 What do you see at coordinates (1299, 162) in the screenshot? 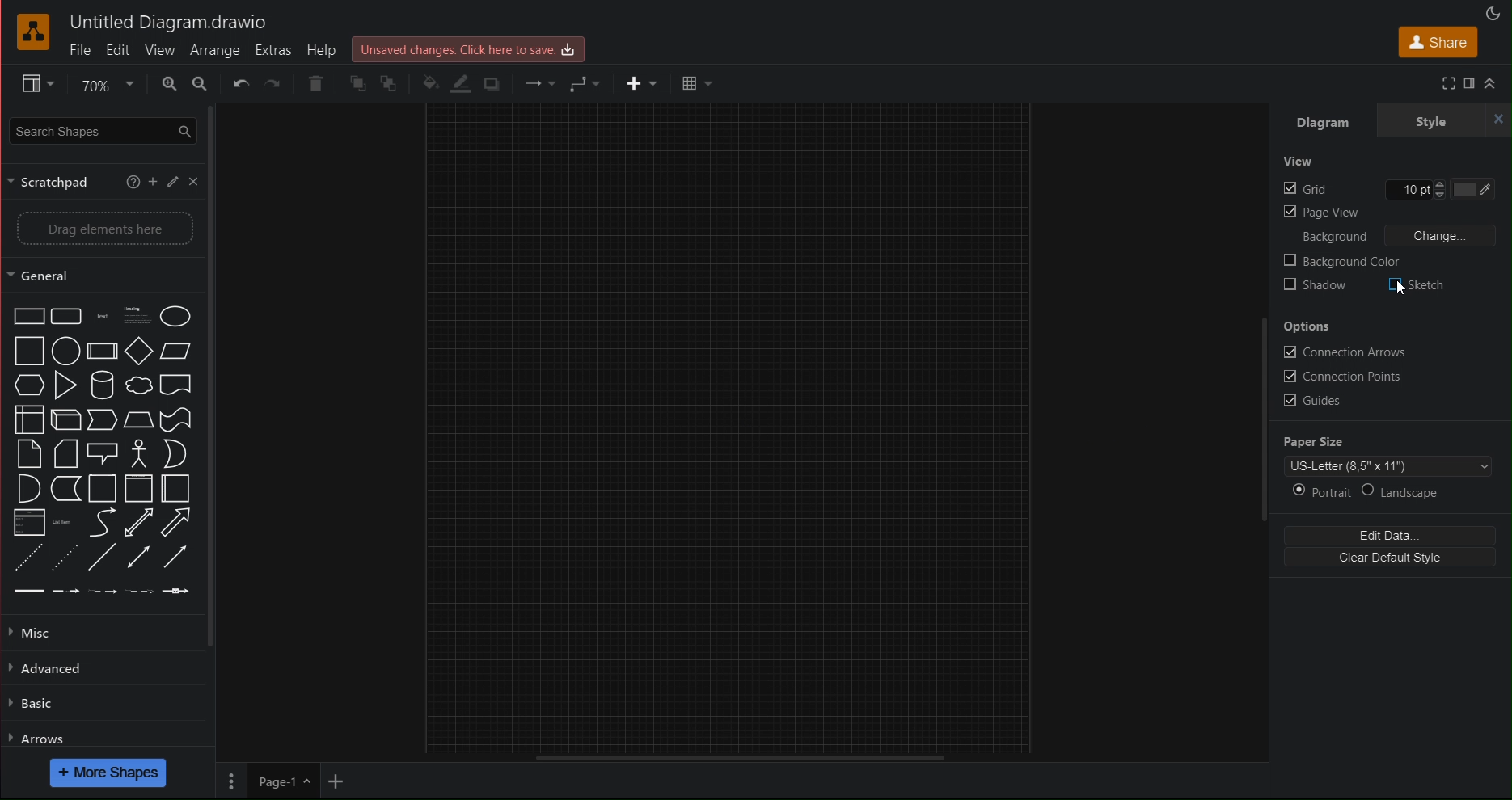
I see `View` at bounding box center [1299, 162].